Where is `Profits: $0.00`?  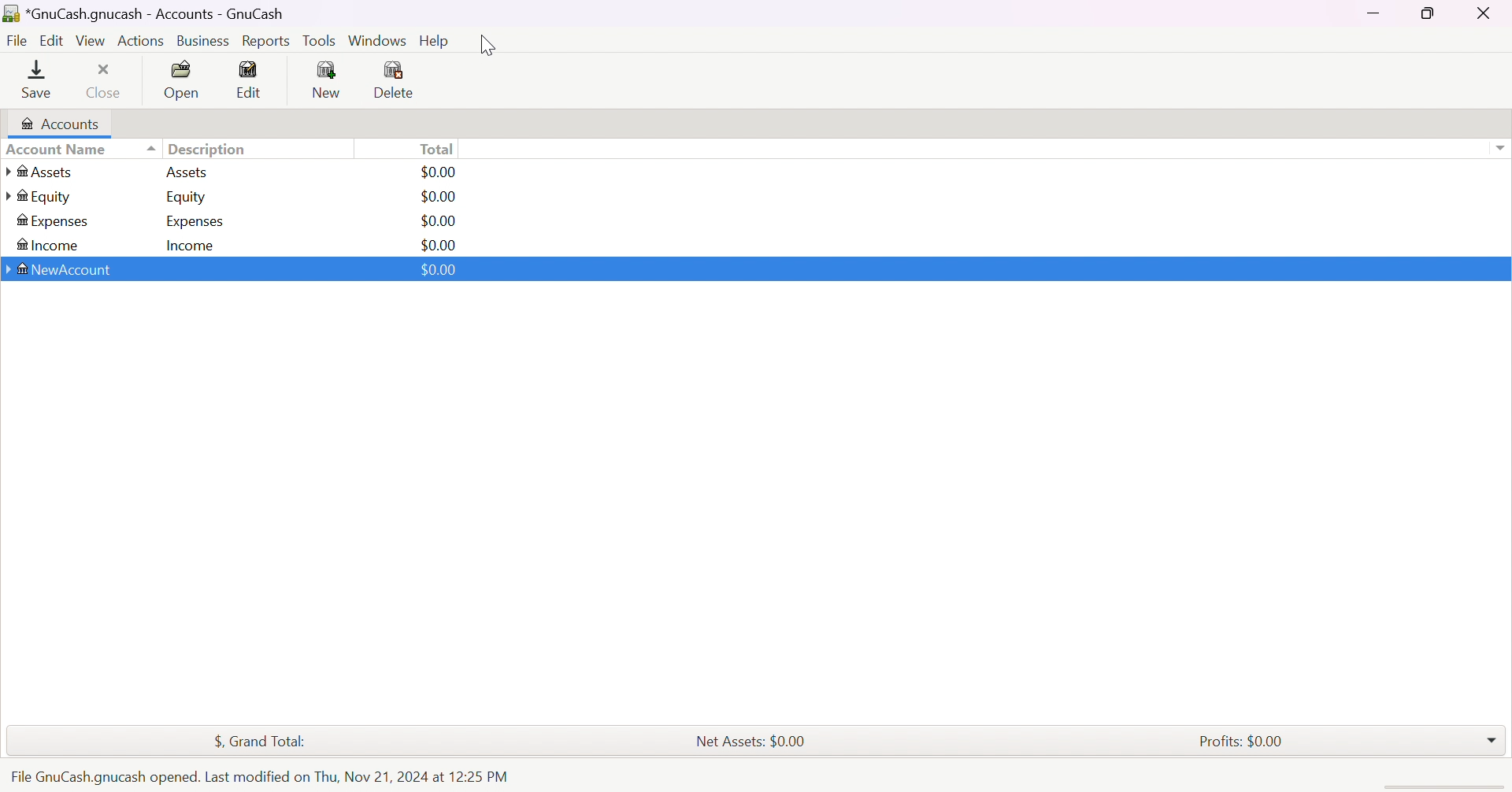
Profits: $0.00 is located at coordinates (1246, 741).